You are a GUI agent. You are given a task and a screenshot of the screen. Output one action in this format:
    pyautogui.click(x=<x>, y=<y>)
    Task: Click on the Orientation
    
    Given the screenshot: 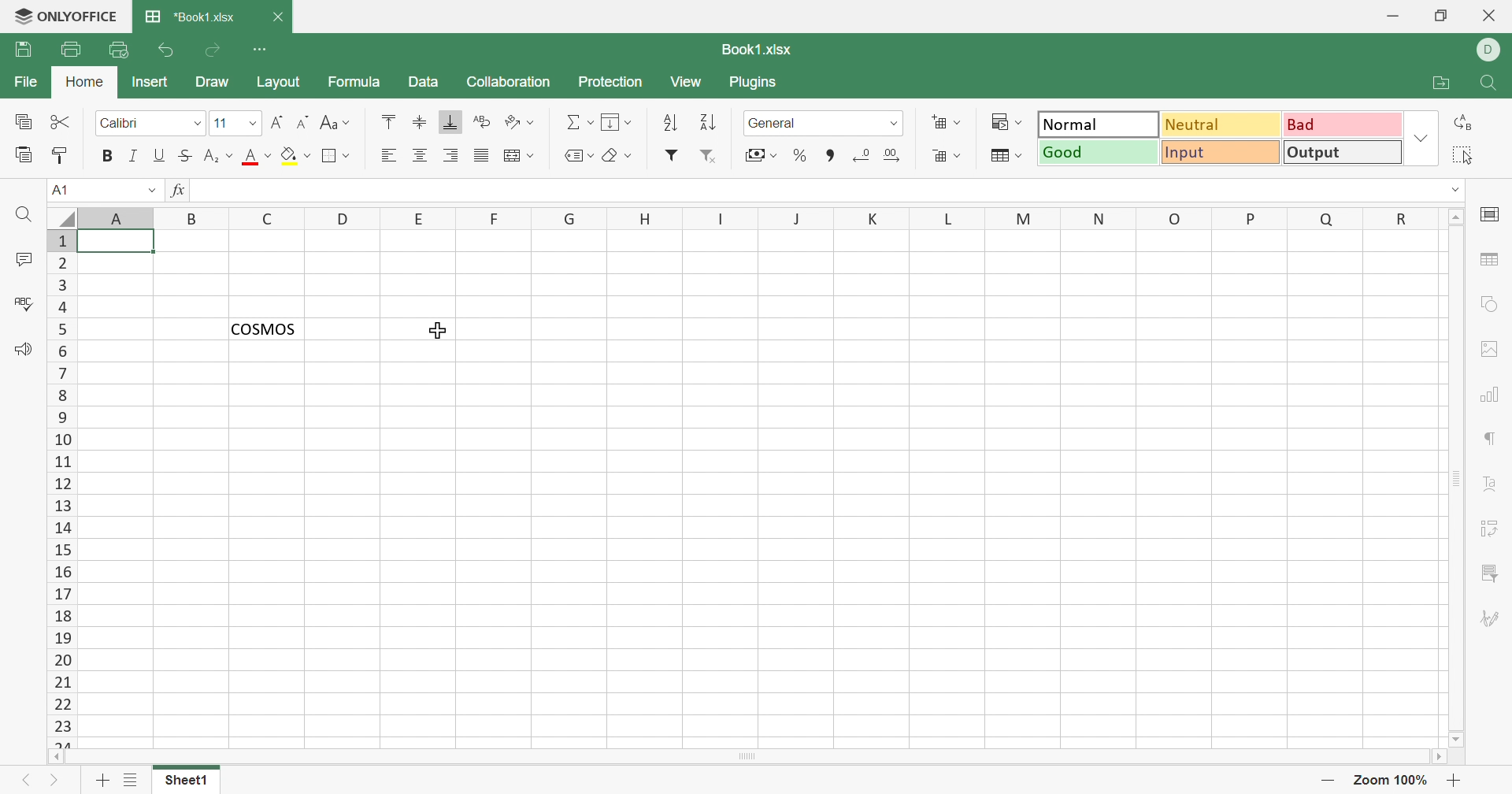 What is the action you would take?
    pyautogui.click(x=519, y=123)
    